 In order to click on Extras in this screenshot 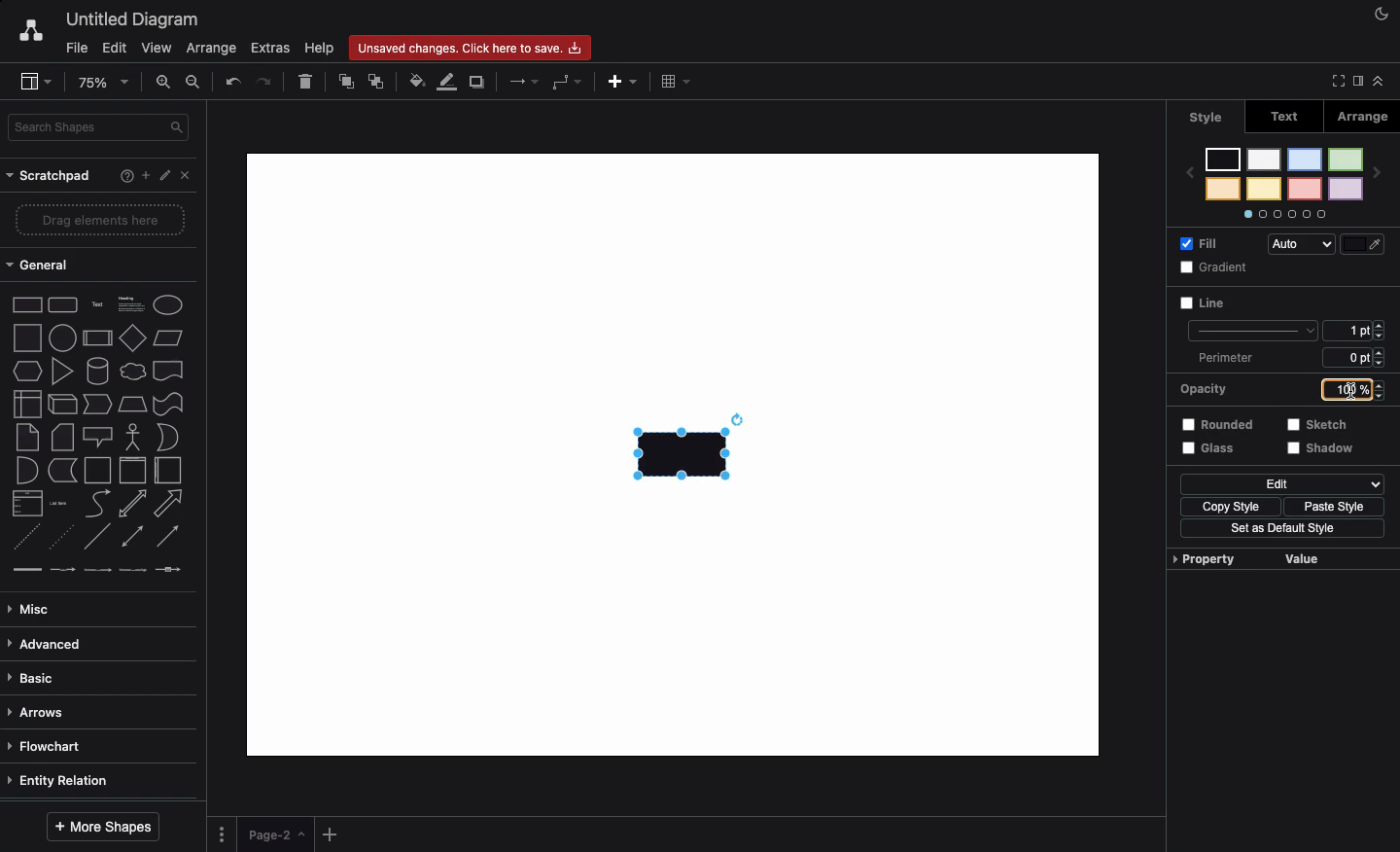, I will do `click(268, 48)`.